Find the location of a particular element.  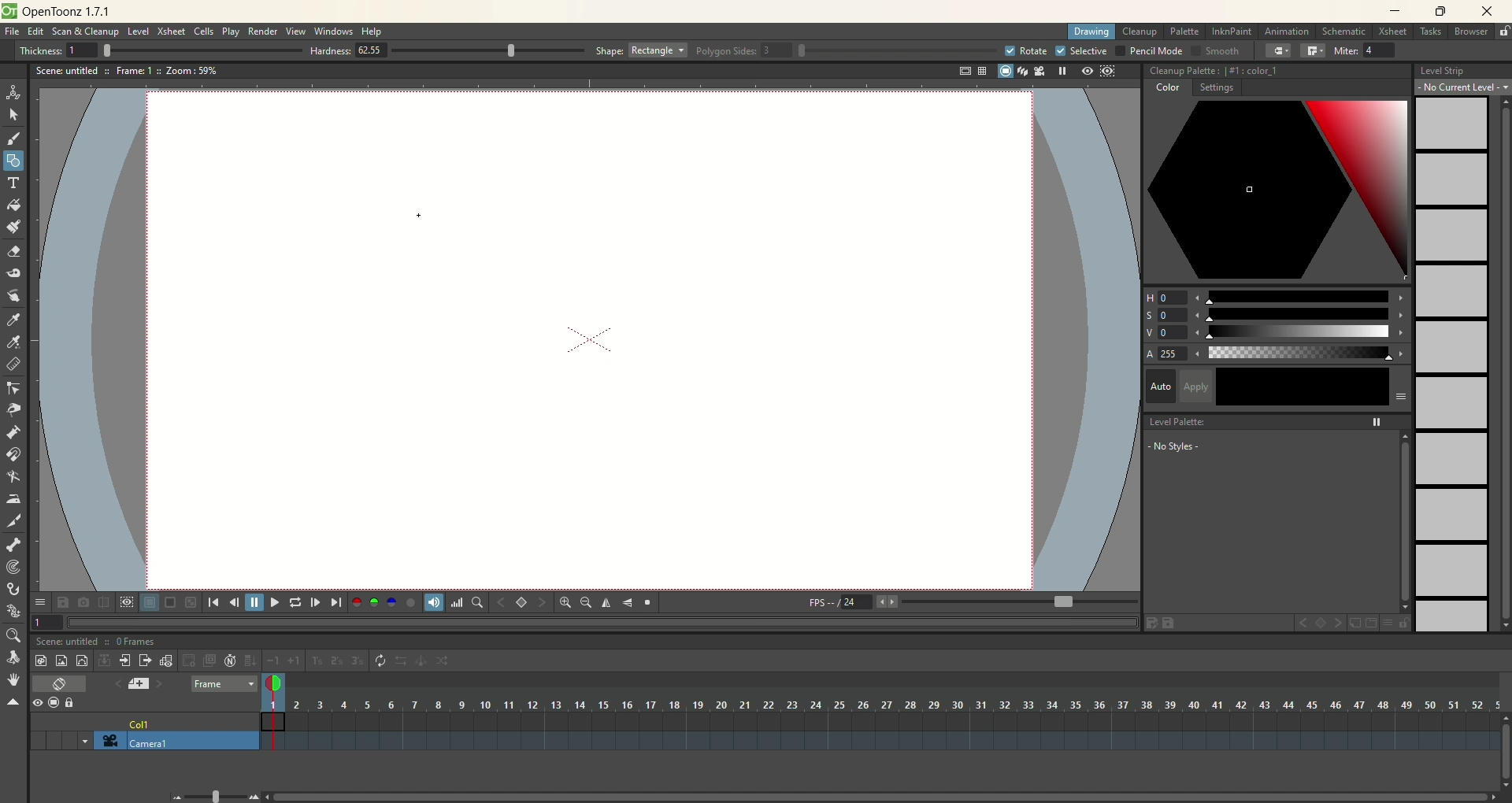

loop is located at coordinates (295, 602).